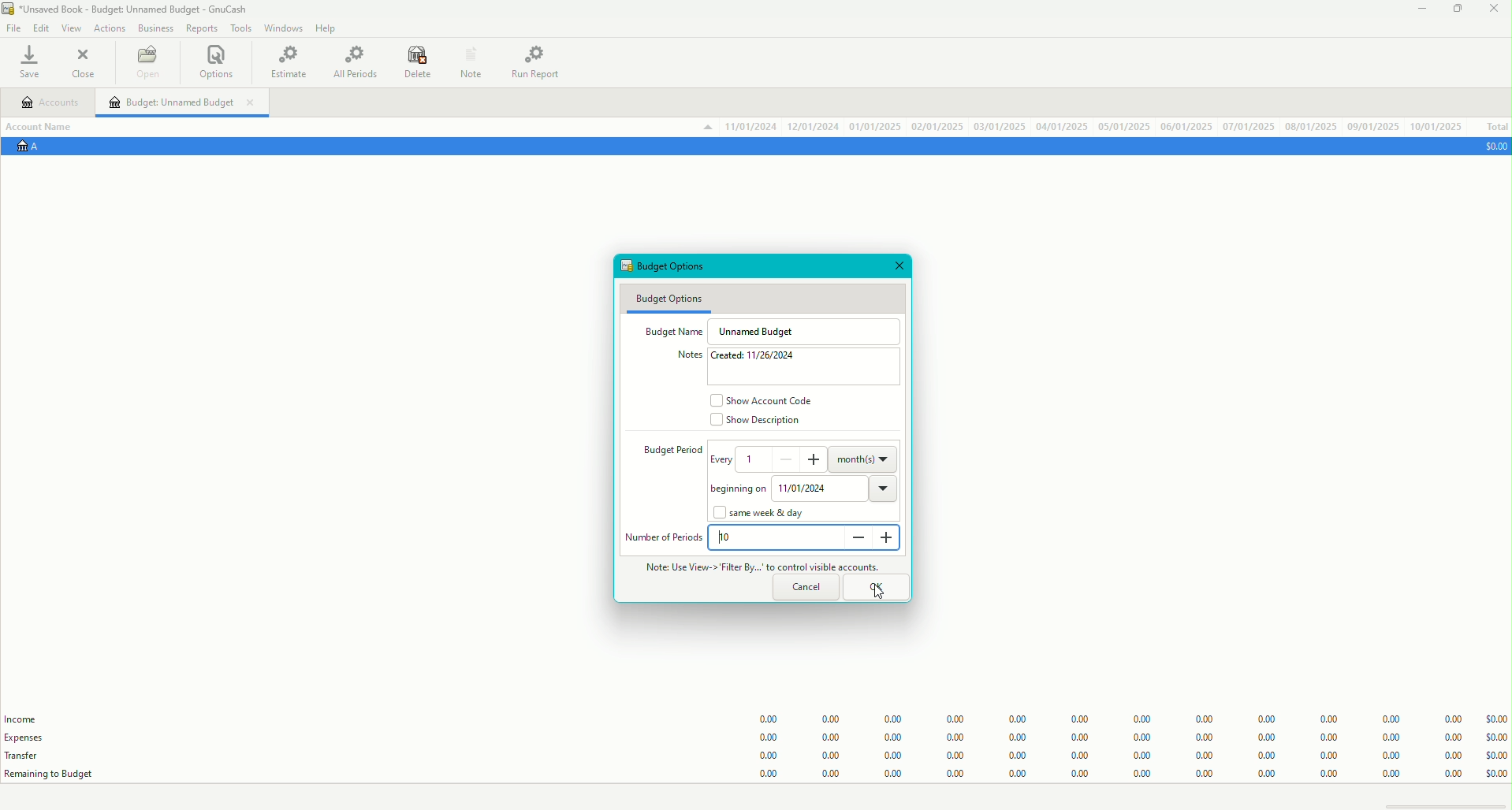 This screenshot has width=1512, height=810. Describe the element at coordinates (723, 464) in the screenshot. I see `every` at that location.